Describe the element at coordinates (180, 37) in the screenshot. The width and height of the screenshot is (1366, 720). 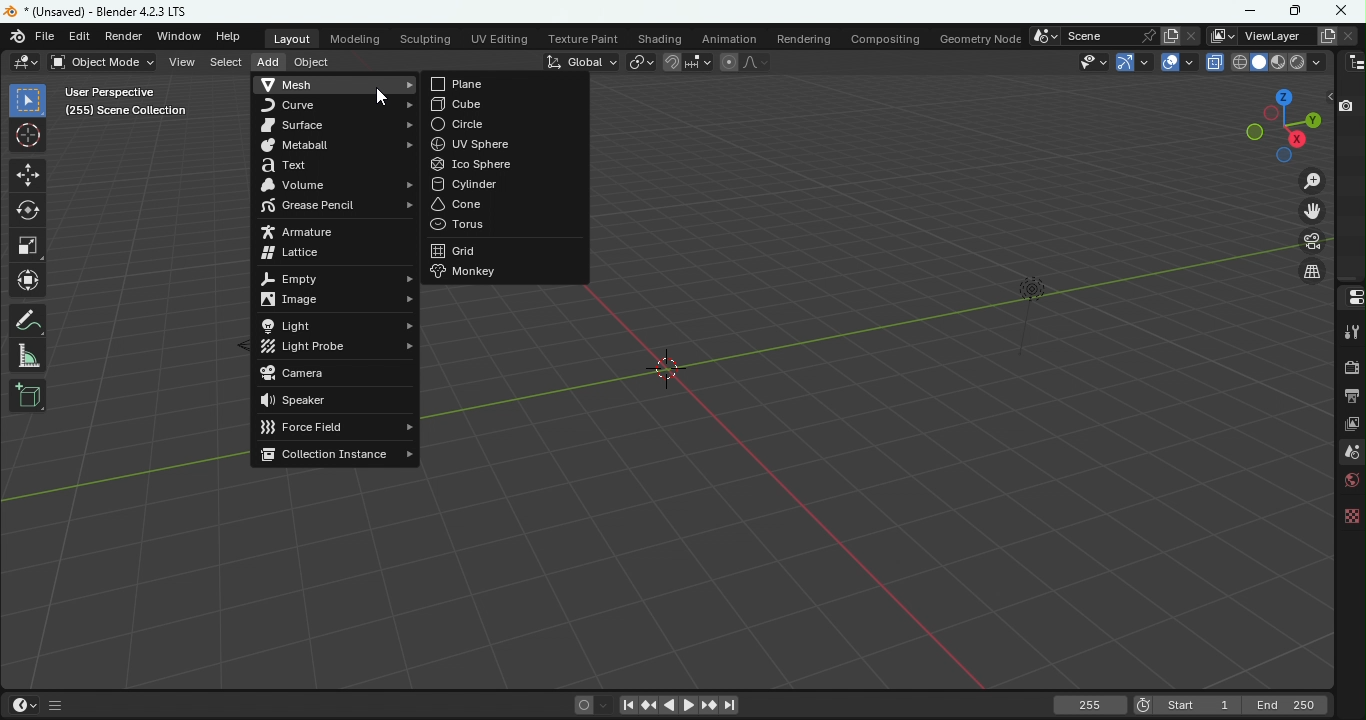
I see `Window` at that location.